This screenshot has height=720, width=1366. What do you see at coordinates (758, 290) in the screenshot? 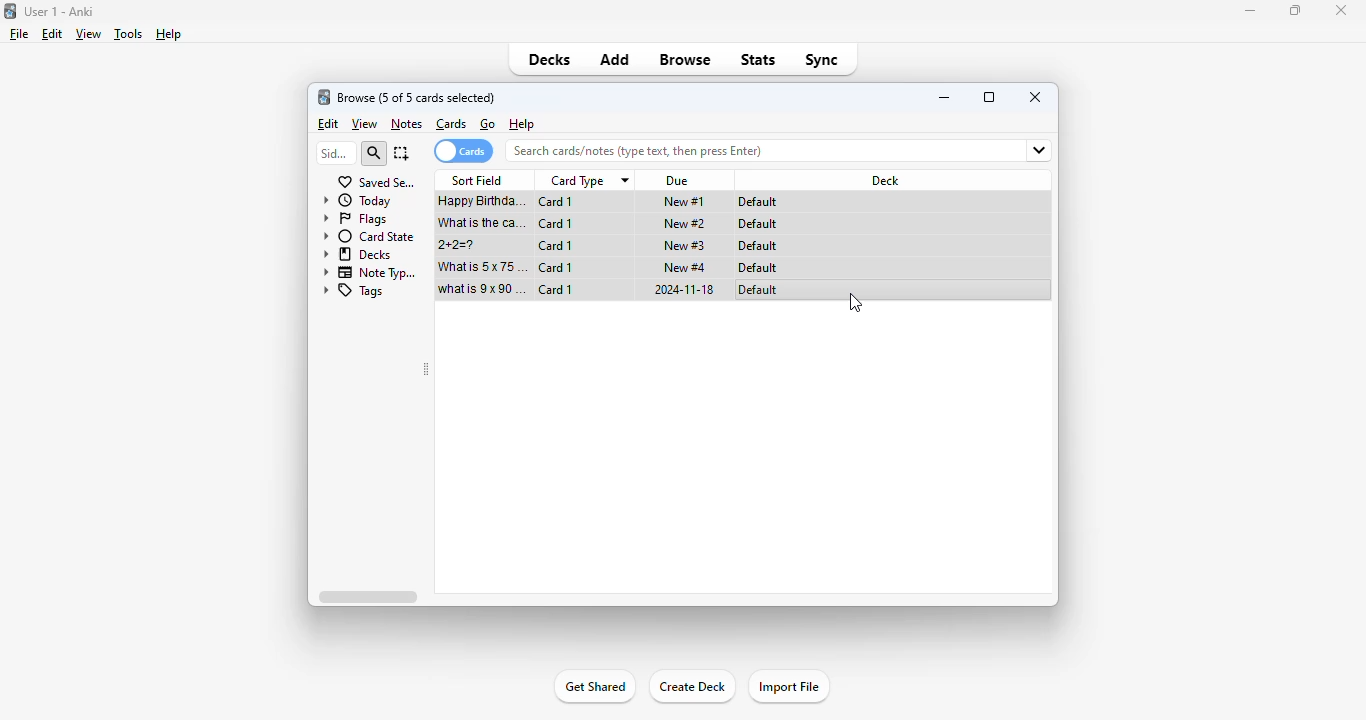
I see `default` at bounding box center [758, 290].